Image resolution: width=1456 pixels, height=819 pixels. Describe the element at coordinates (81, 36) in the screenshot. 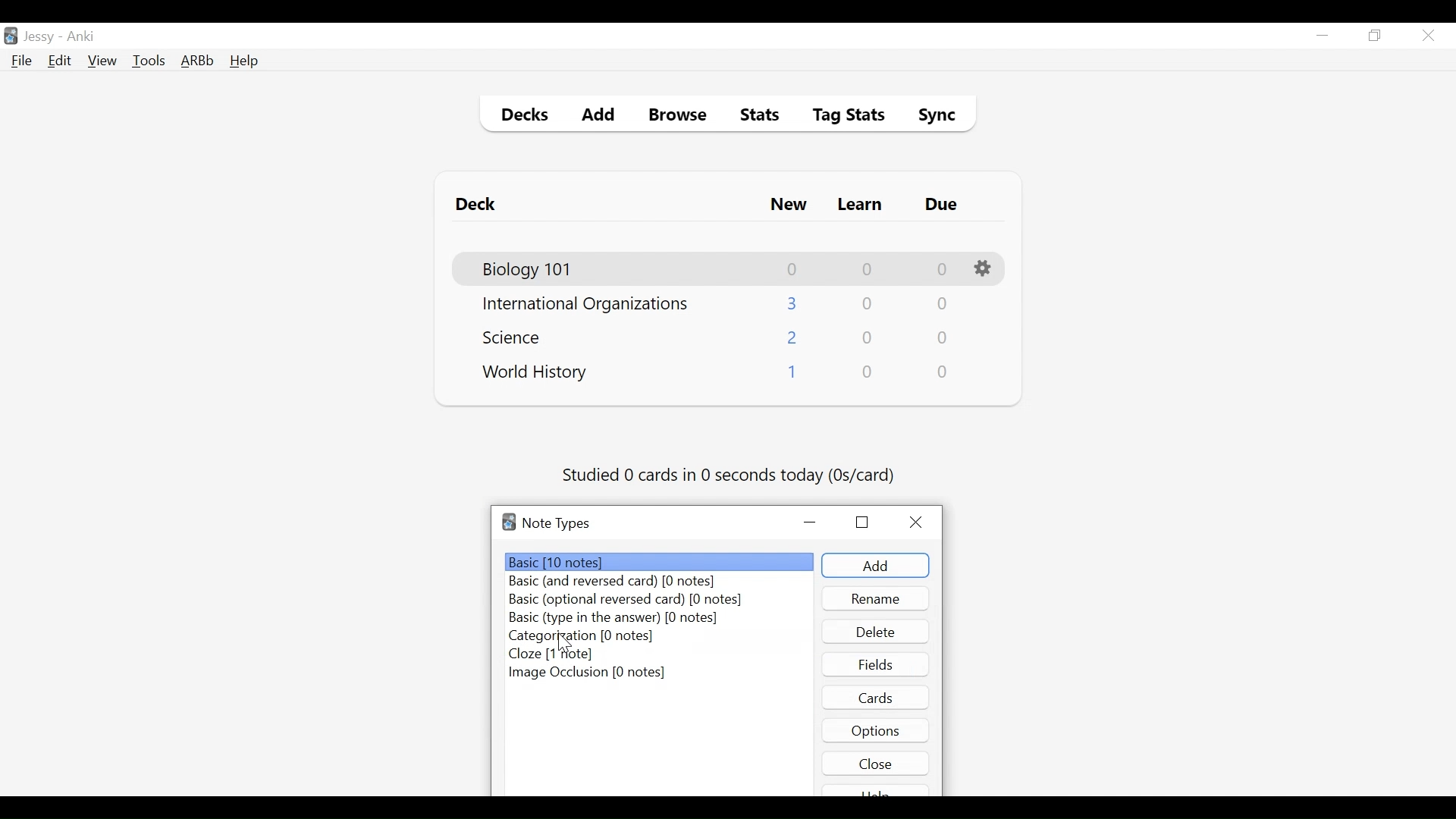

I see `Anki` at that location.